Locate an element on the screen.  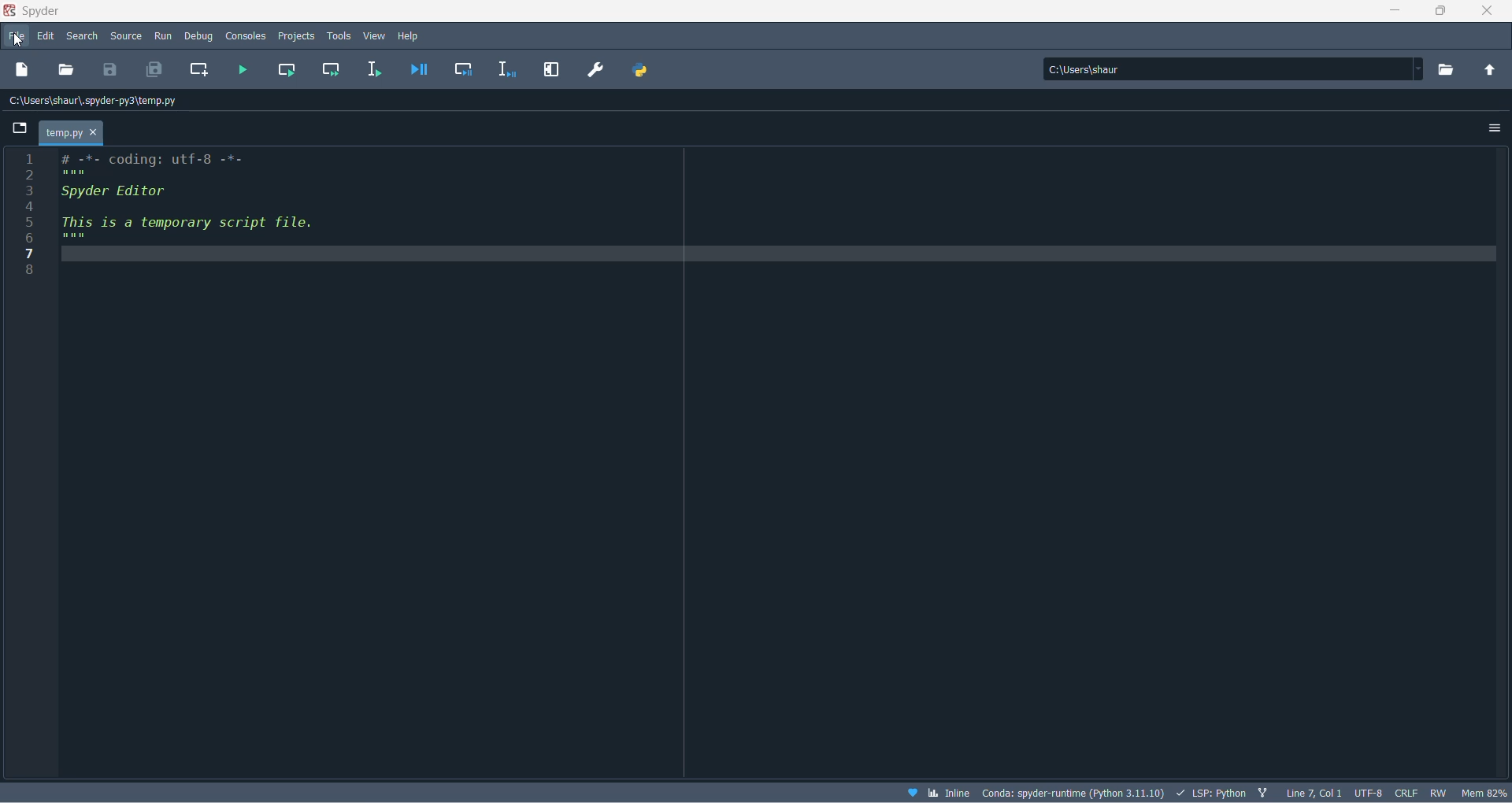
source is located at coordinates (128, 37).